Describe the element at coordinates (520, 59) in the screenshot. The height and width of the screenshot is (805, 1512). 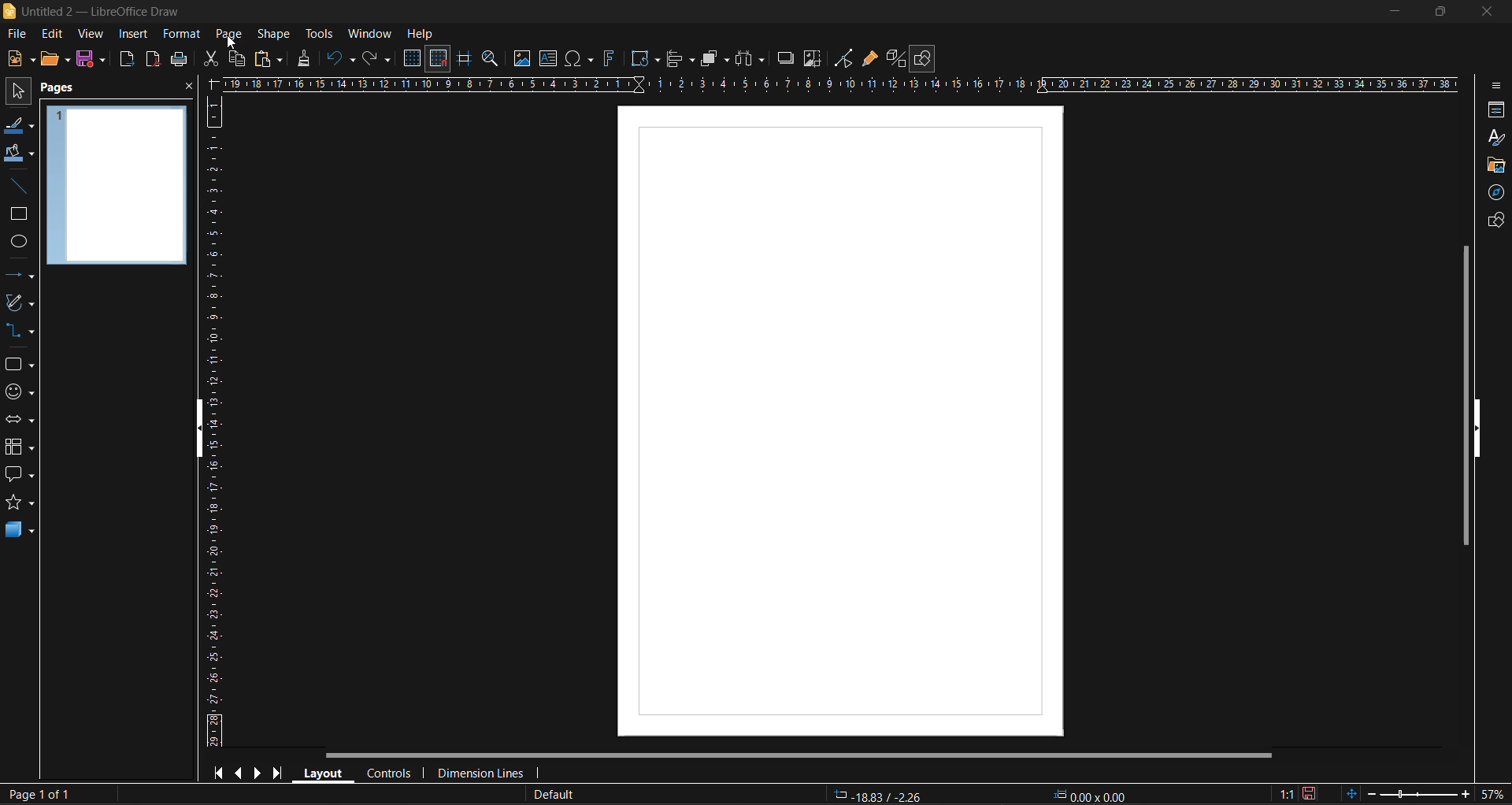
I see `image` at that location.